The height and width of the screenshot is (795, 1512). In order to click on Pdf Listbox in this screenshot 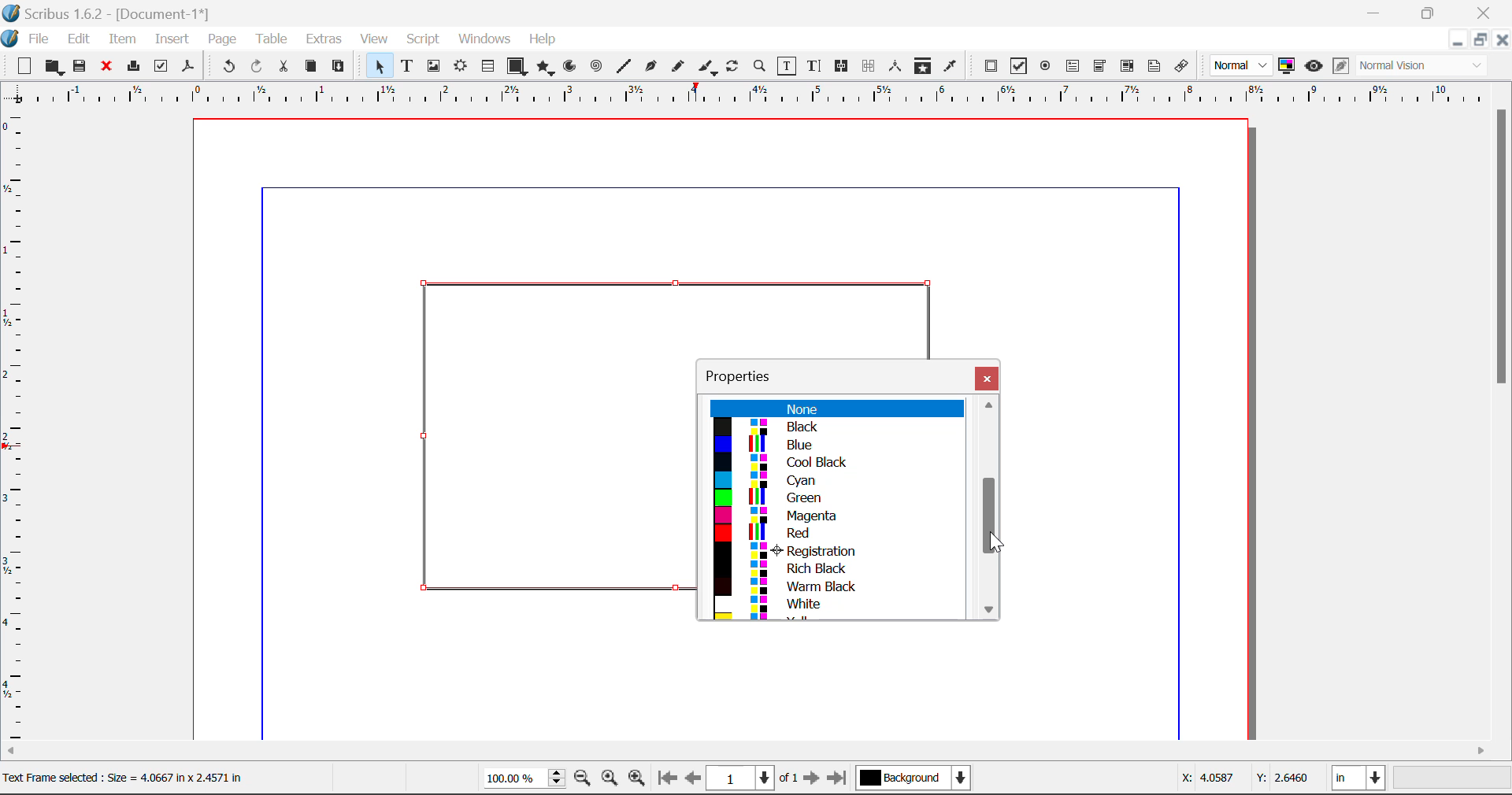, I will do `click(1125, 66)`.